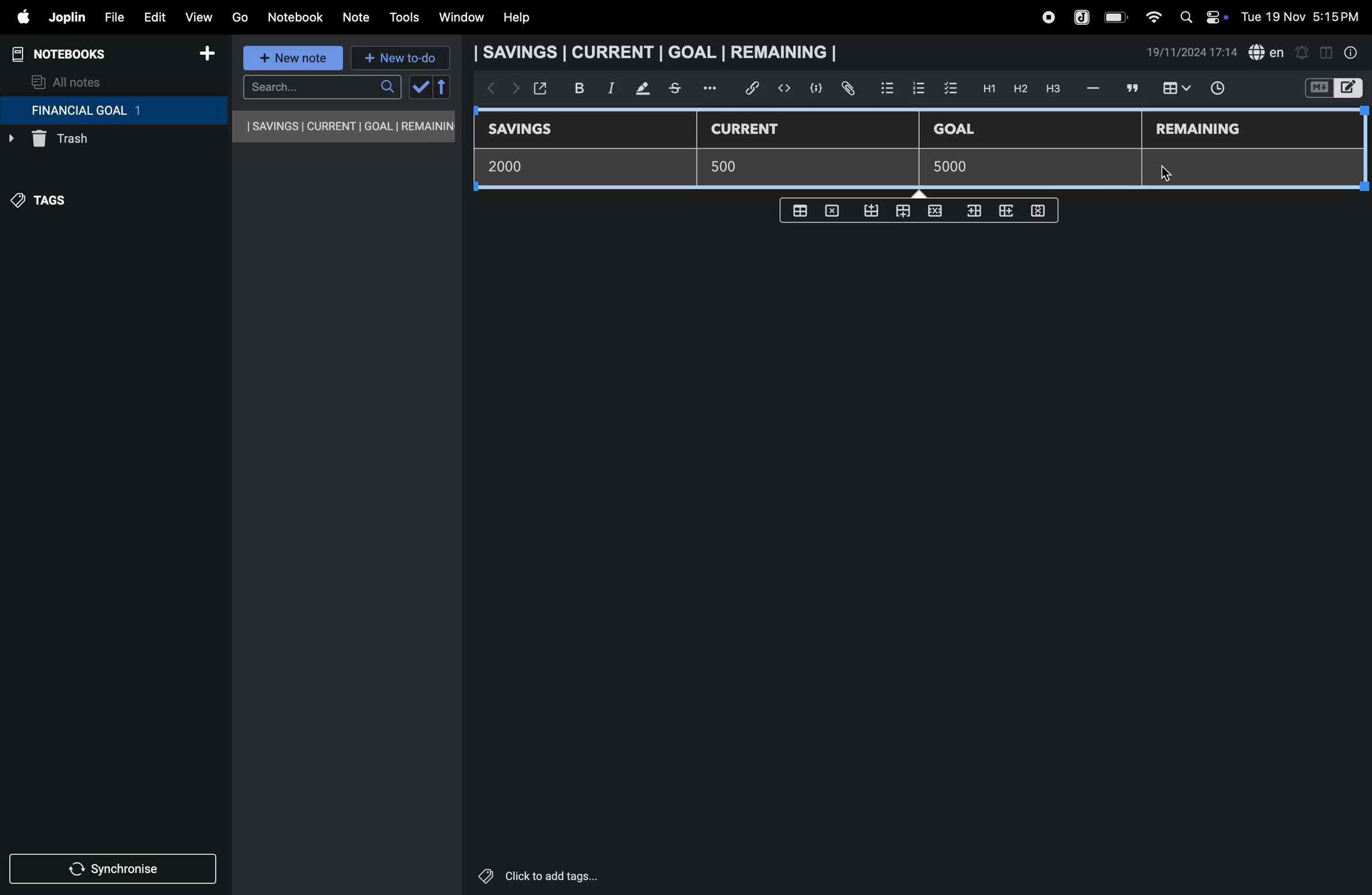  Describe the element at coordinates (900, 212) in the screenshot. I see `from top` at that location.